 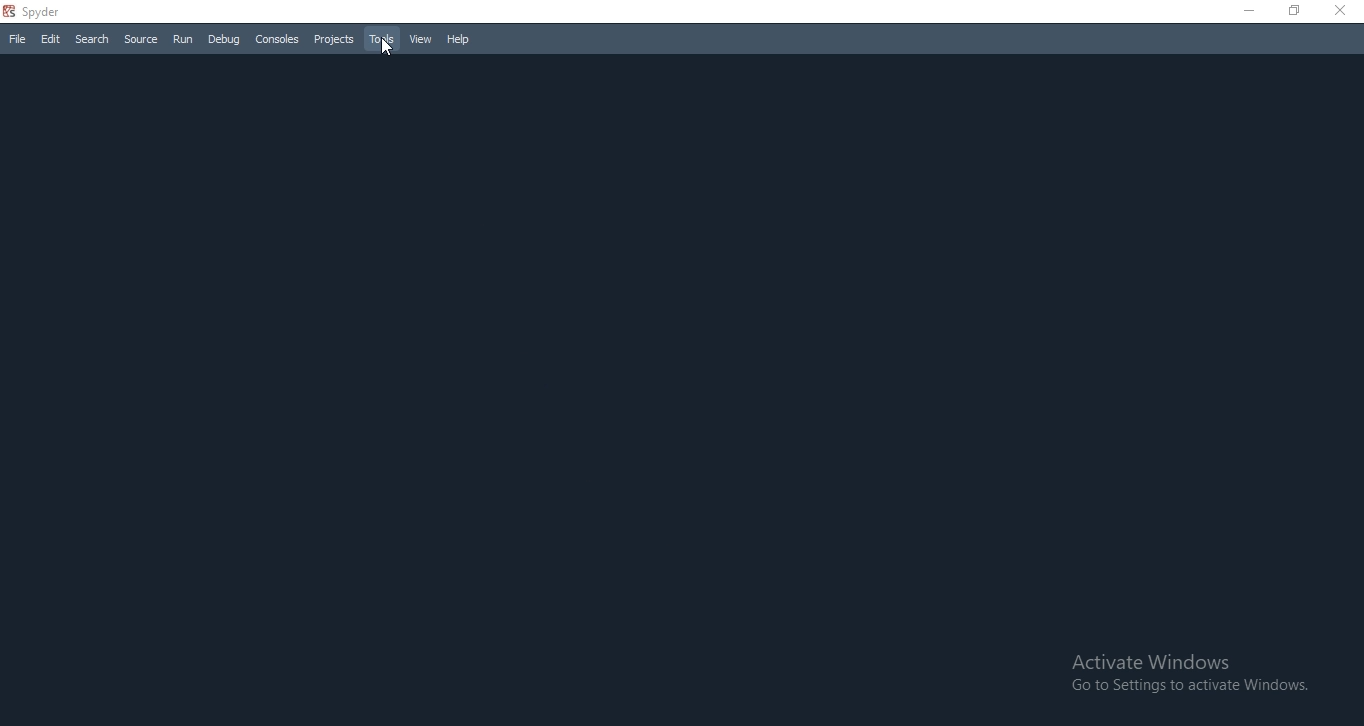 What do you see at coordinates (385, 50) in the screenshot?
I see `cursor` at bounding box center [385, 50].